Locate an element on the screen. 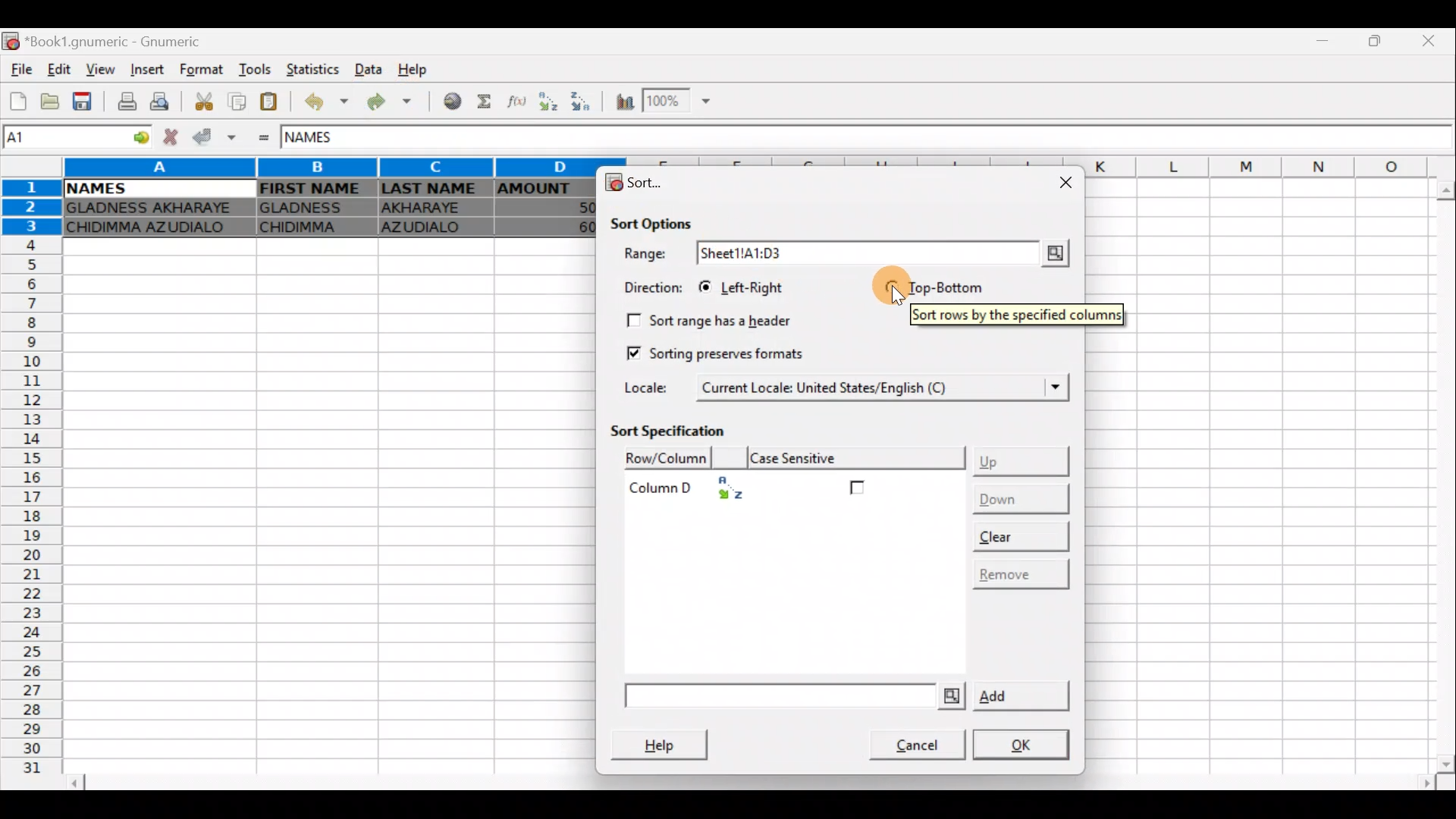 This screenshot has height=819, width=1456. View is located at coordinates (96, 70).